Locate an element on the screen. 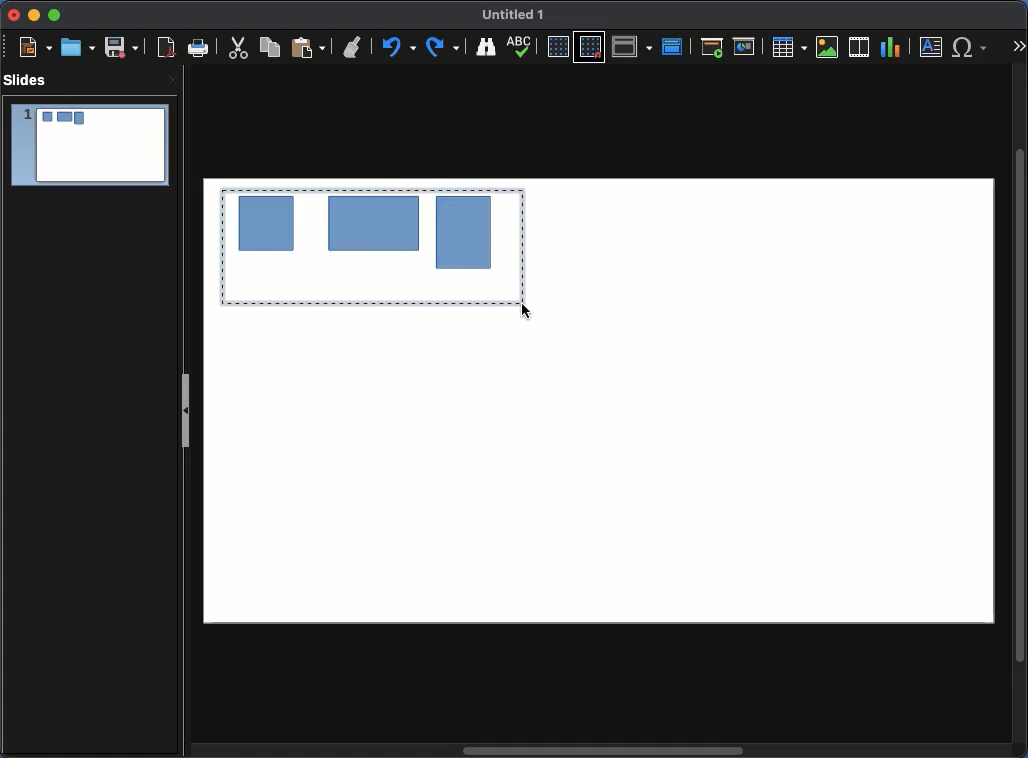  Master slide is located at coordinates (675, 45).